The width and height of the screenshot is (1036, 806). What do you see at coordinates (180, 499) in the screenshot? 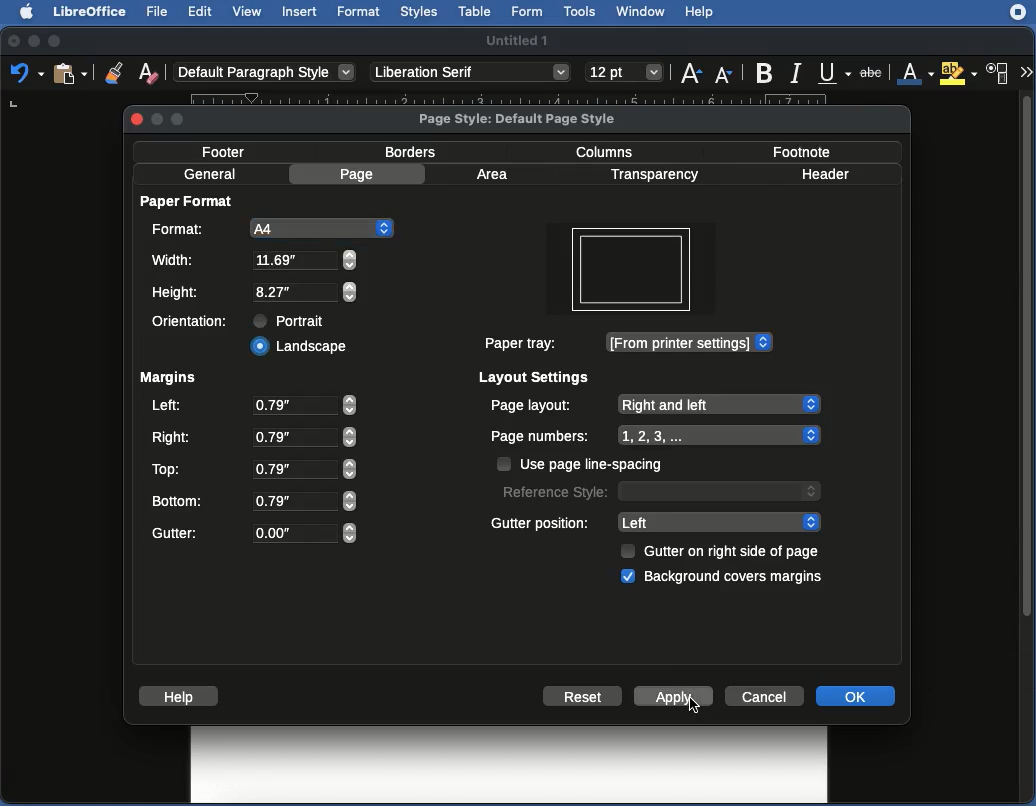
I see `Bottom` at bounding box center [180, 499].